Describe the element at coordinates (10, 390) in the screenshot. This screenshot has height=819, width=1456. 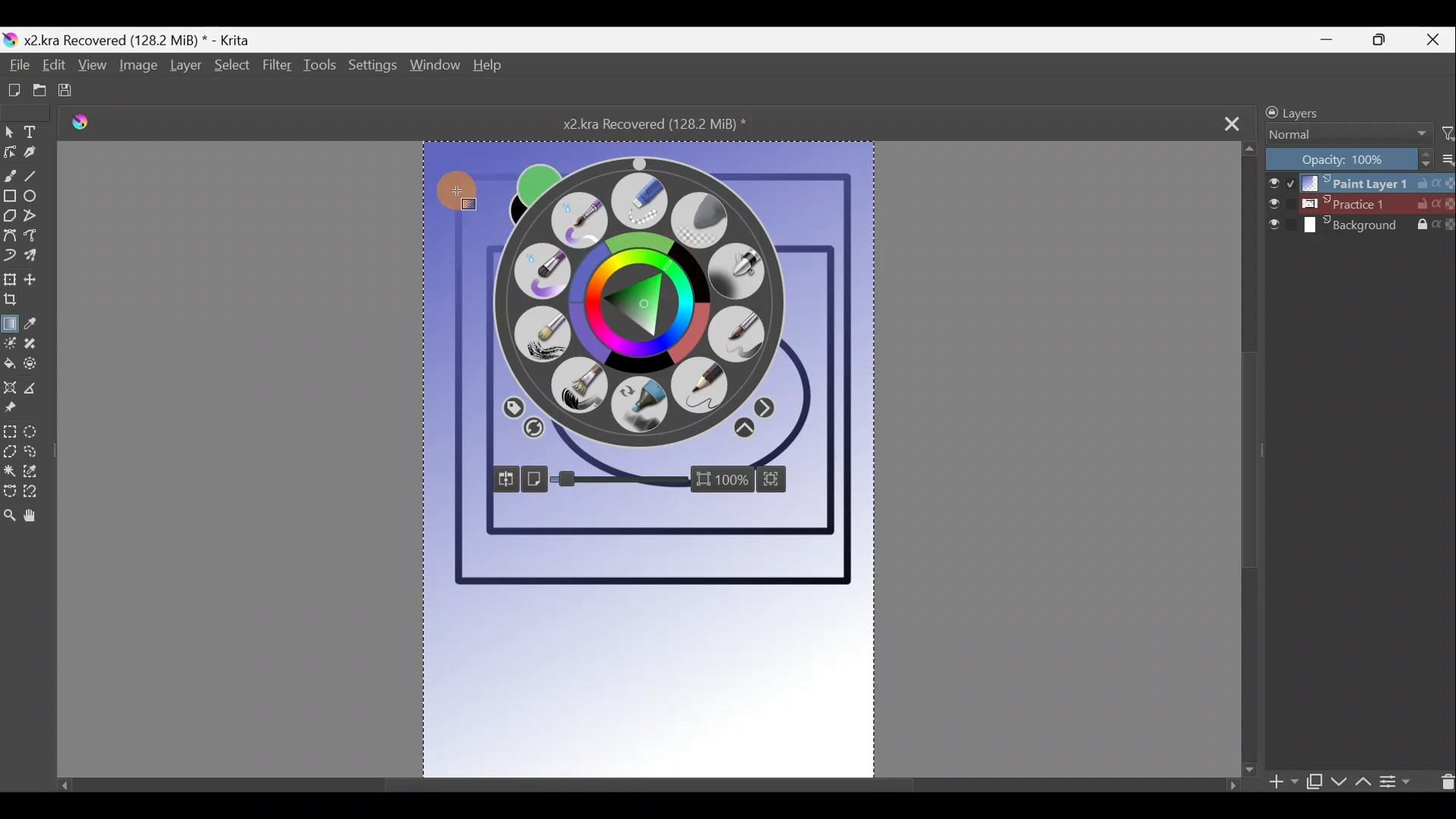
I see `Assistant tool` at that location.